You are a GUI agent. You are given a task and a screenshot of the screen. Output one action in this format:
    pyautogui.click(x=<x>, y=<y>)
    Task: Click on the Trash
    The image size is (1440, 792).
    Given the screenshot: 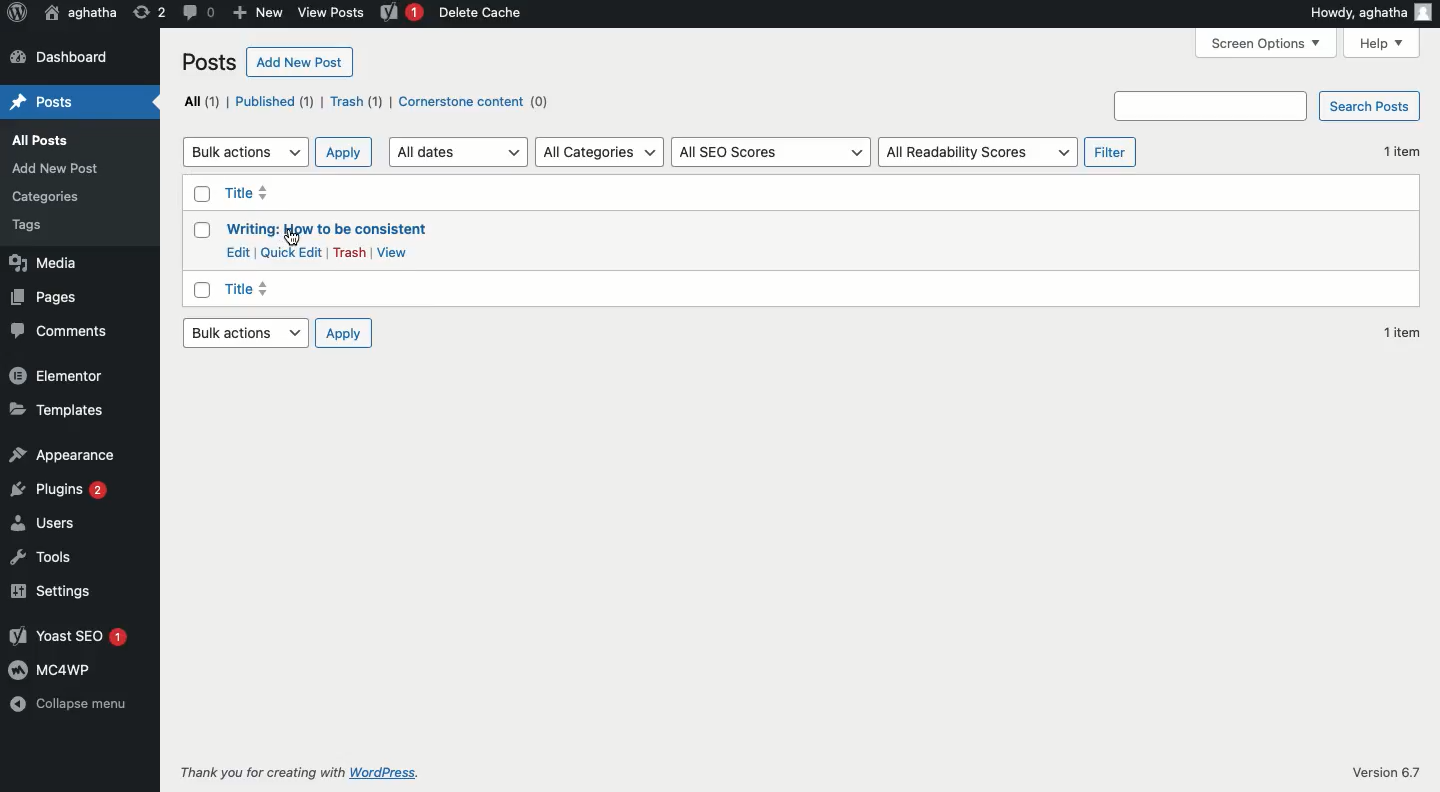 What is the action you would take?
    pyautogui.click(x=356, y=101)
    